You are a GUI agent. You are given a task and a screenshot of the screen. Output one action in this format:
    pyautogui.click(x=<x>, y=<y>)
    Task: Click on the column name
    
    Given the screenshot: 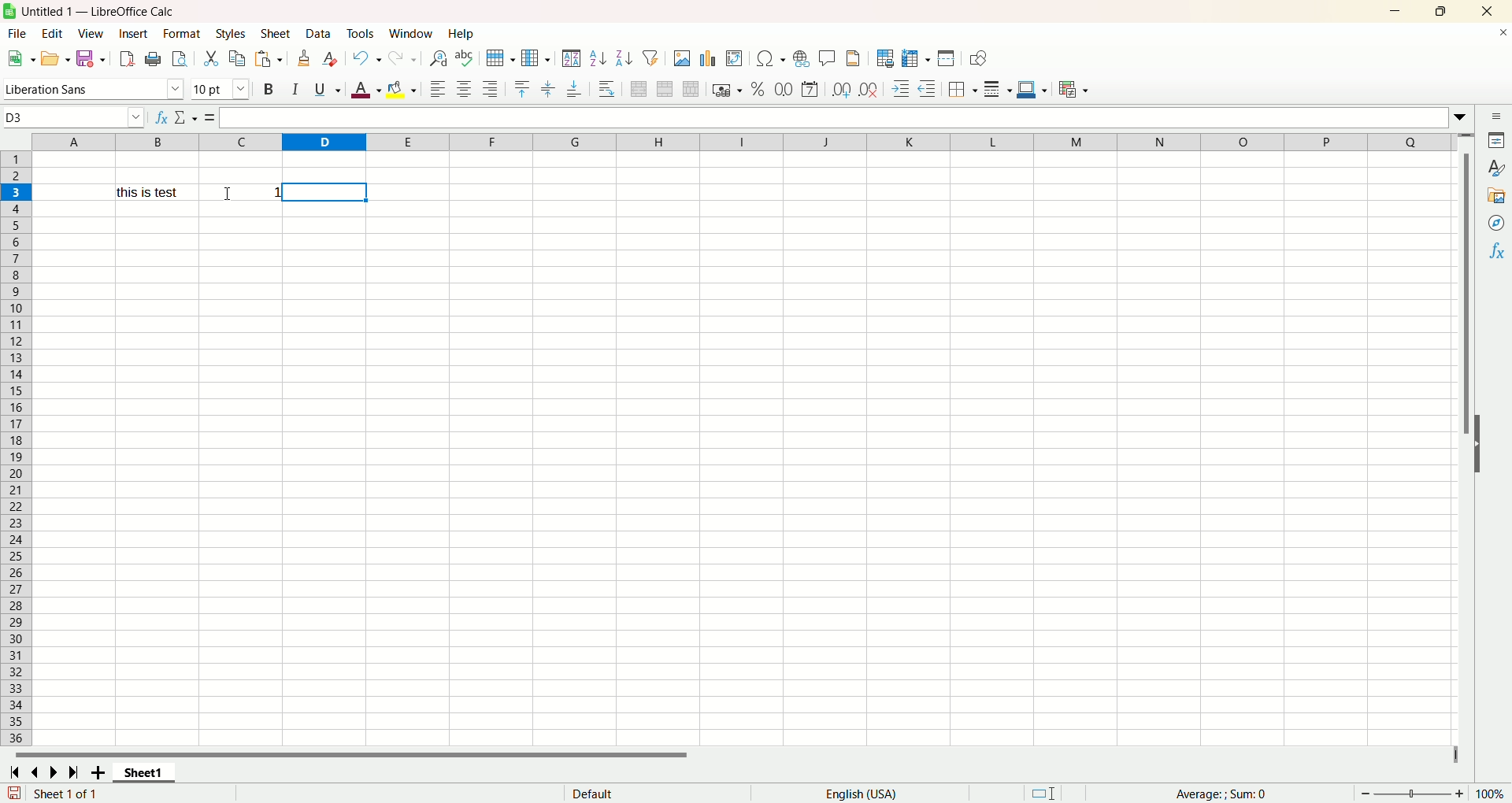 What is the action you would take?
    pyautogui.click(x=738, y=142)
    